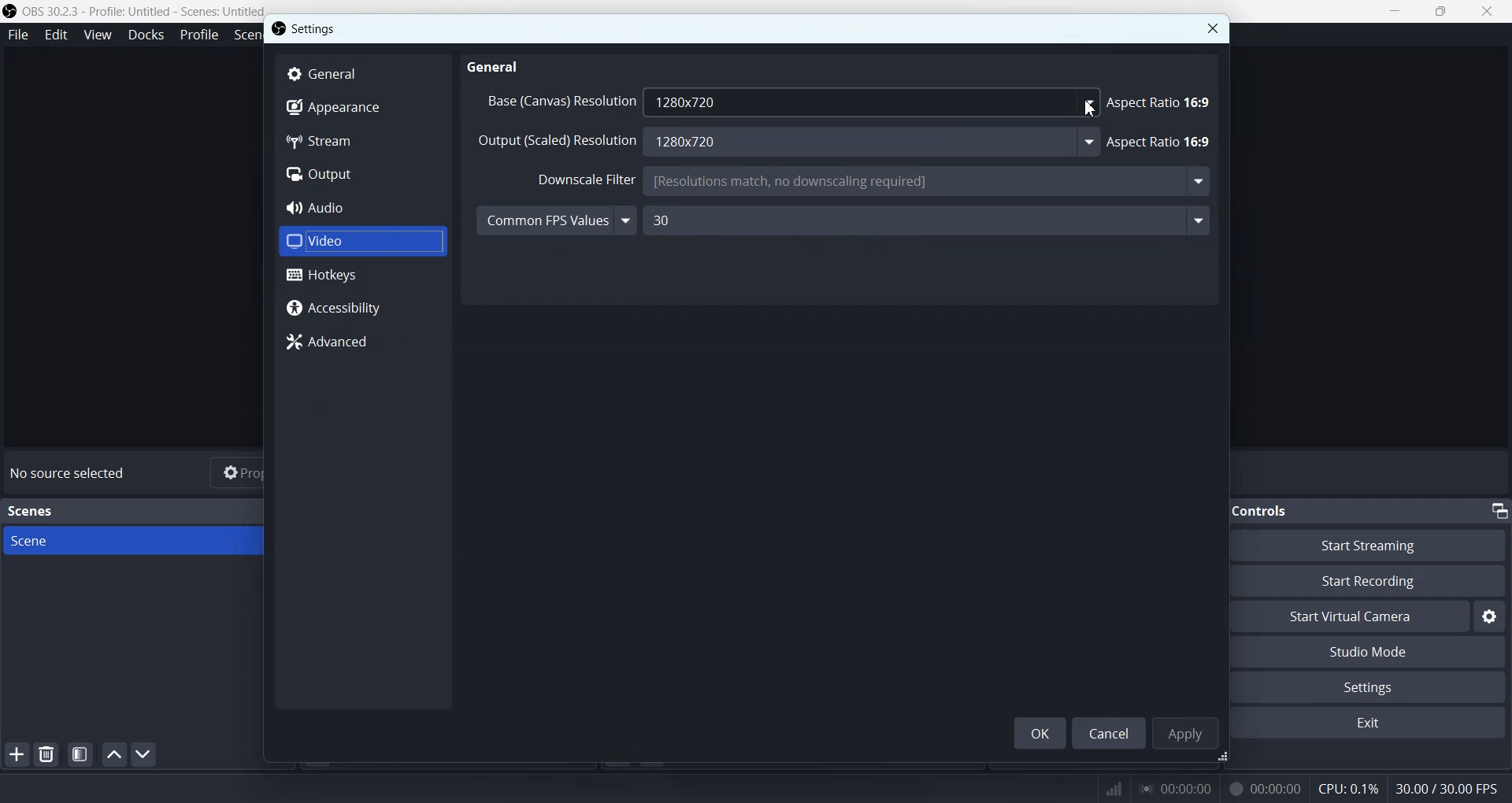 The image size is (1512, 803). I want to click on Settings, so click(1377, 686).